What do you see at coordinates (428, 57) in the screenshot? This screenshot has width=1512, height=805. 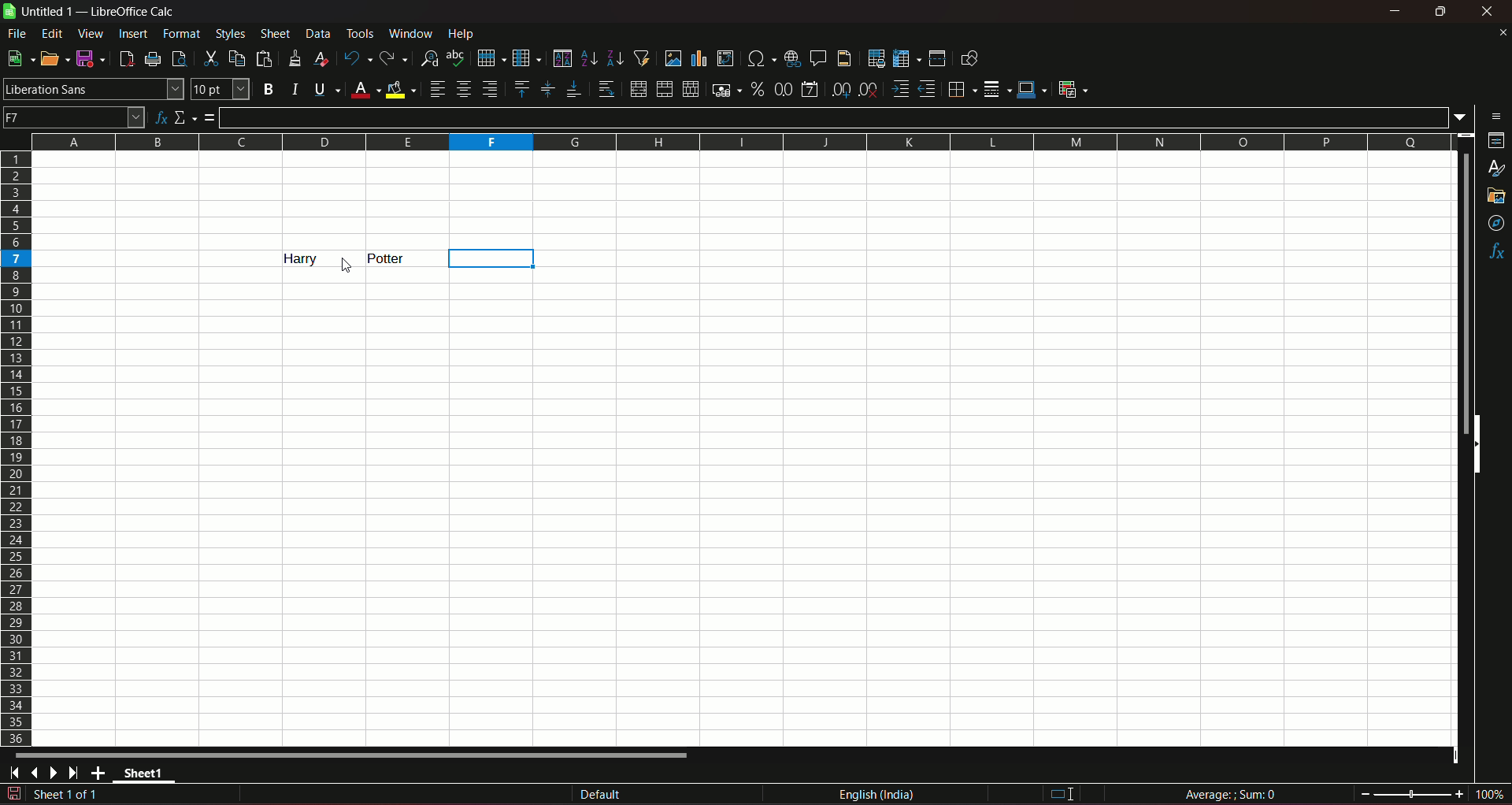 I see `find and replace` at bounding box center [428, 57].